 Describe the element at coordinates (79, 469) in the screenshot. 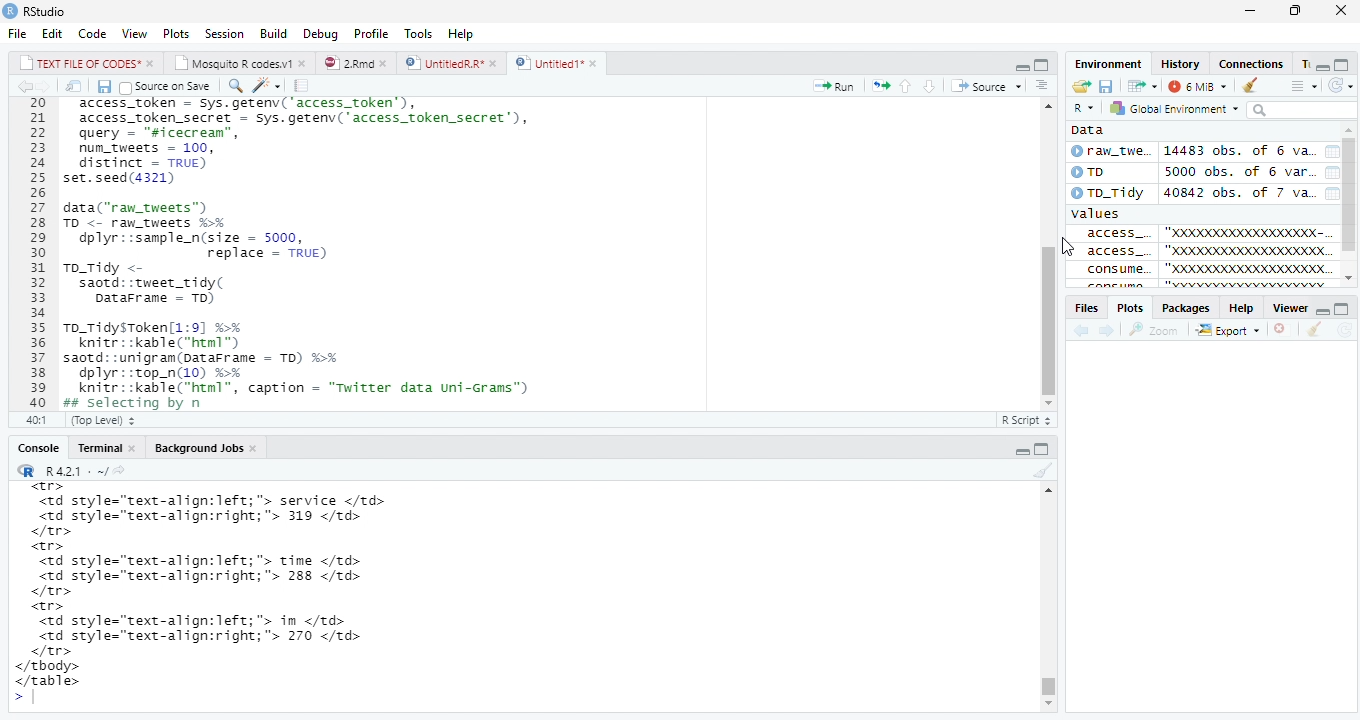

I see `“R R421: ~/` at that location.